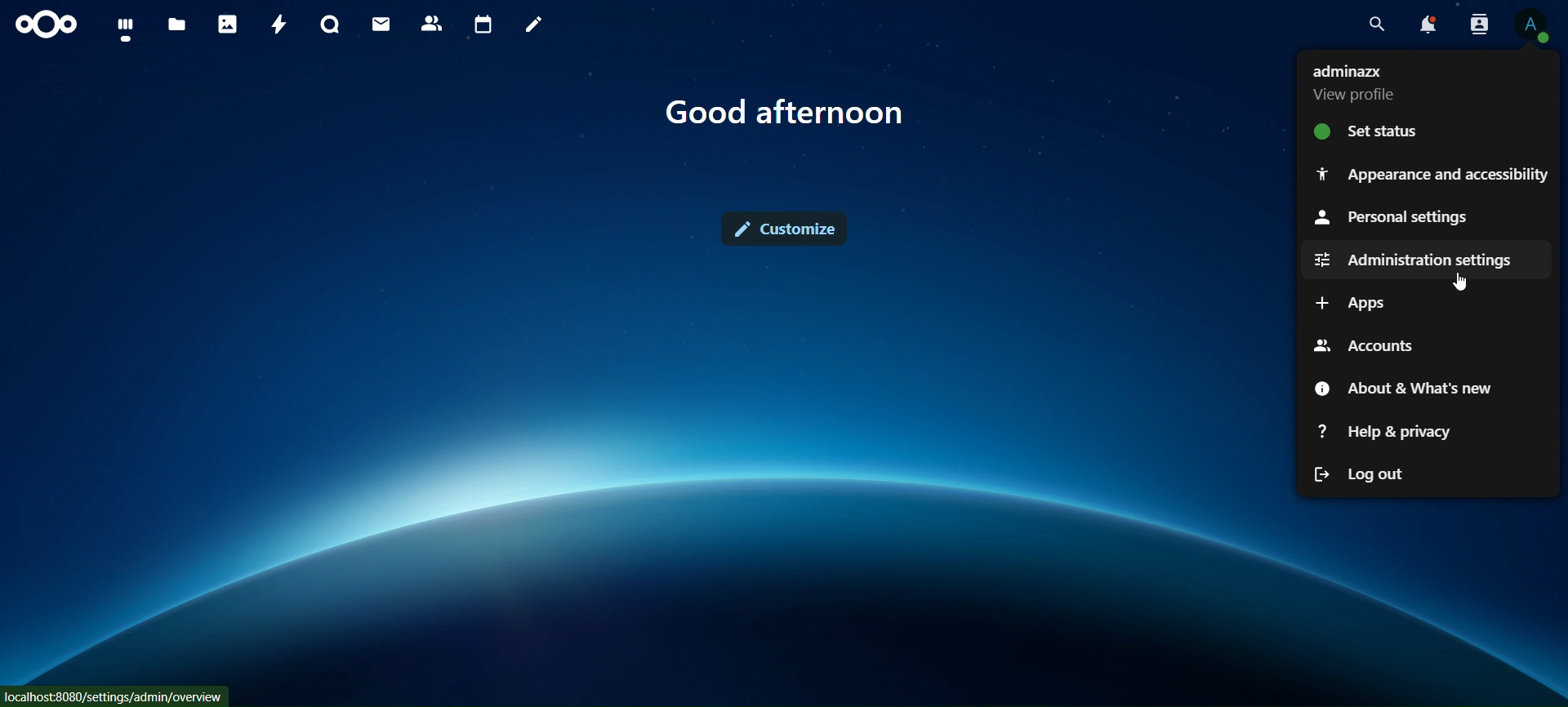  What do you see at coordinates (274, 23) in the screenshot?
I see `activity` at bounding box center [274, 23].